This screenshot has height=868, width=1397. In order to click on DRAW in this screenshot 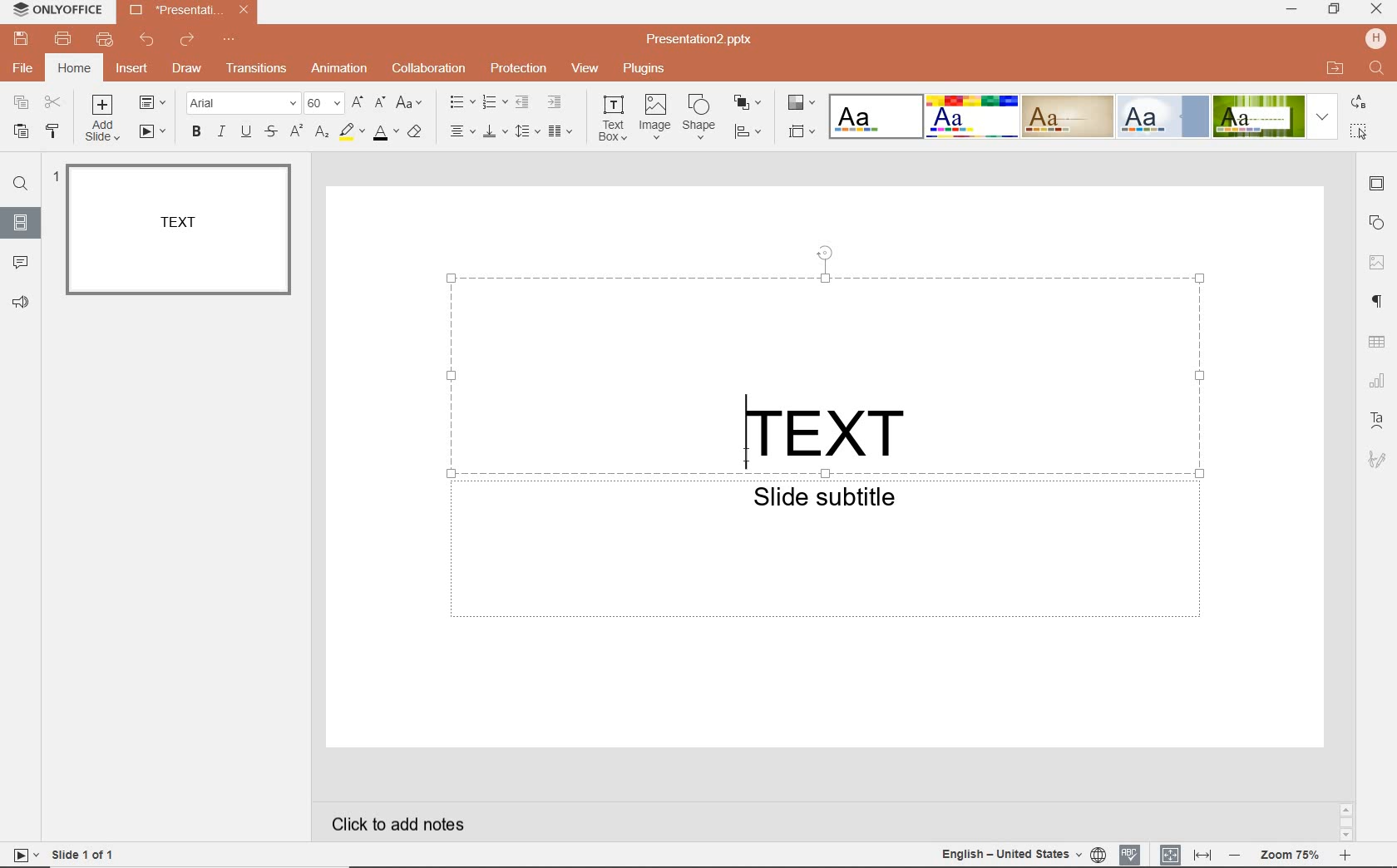, I will do `click(184, 70)`.